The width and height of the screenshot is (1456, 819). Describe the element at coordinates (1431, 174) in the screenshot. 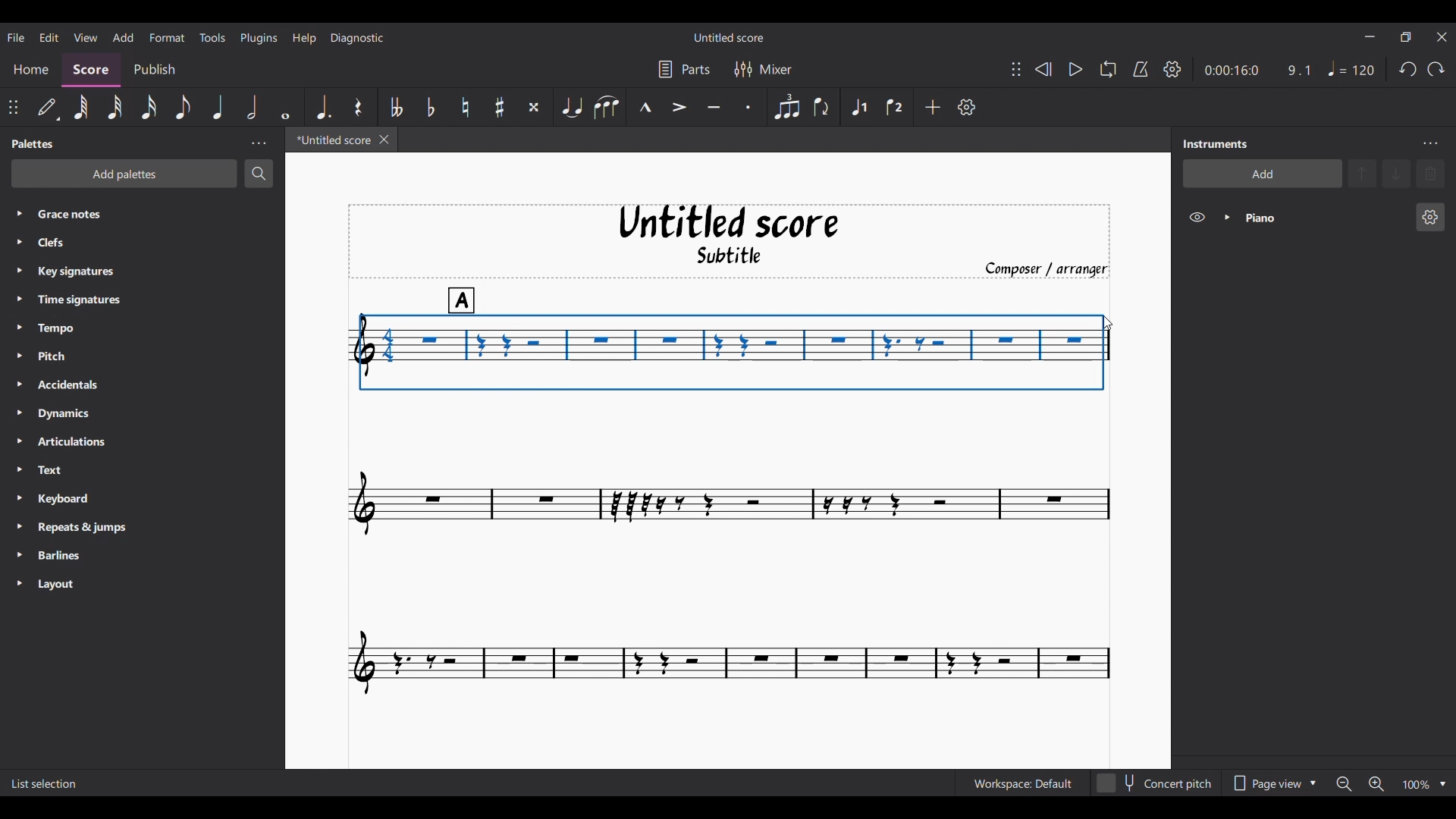

I see `Delete` at that location.